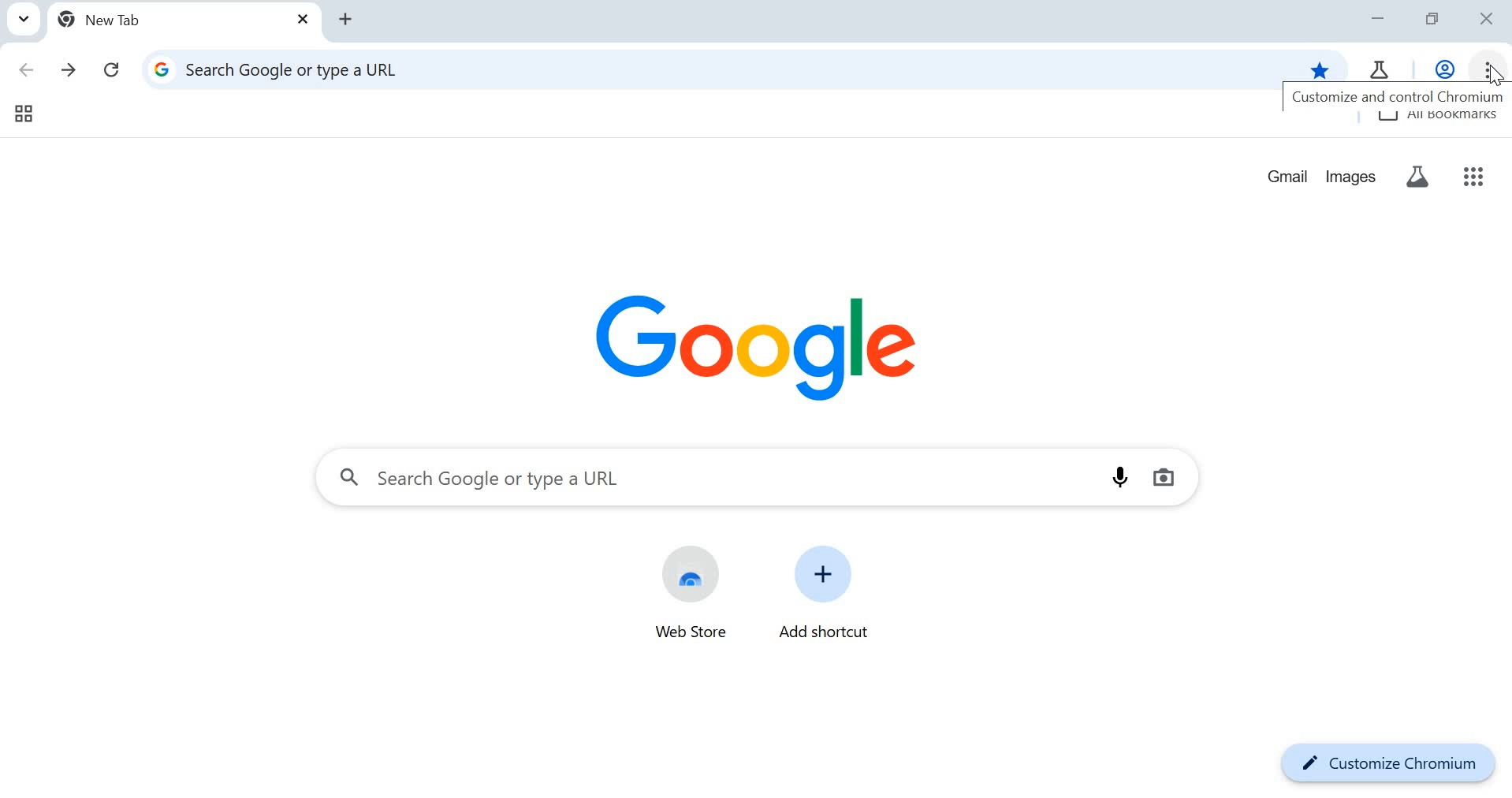  Describe the element at coordinates (1279, 178) in the screenshot. I see `gmail` at that location.